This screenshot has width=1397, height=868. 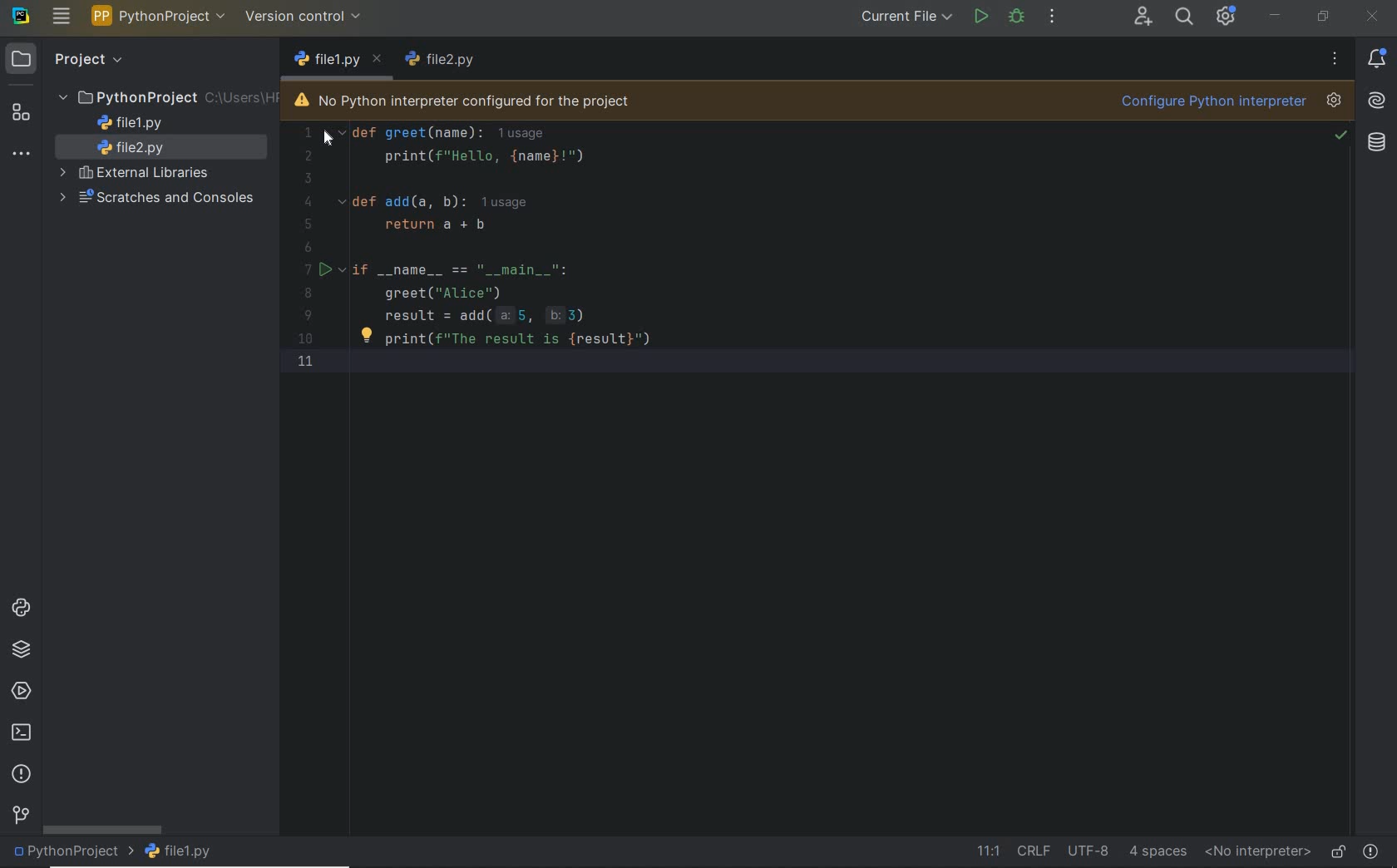 What do you see at coordinates (1372, 849) in the screenshot?
I see `problems` at bounding box center [1372, 849].